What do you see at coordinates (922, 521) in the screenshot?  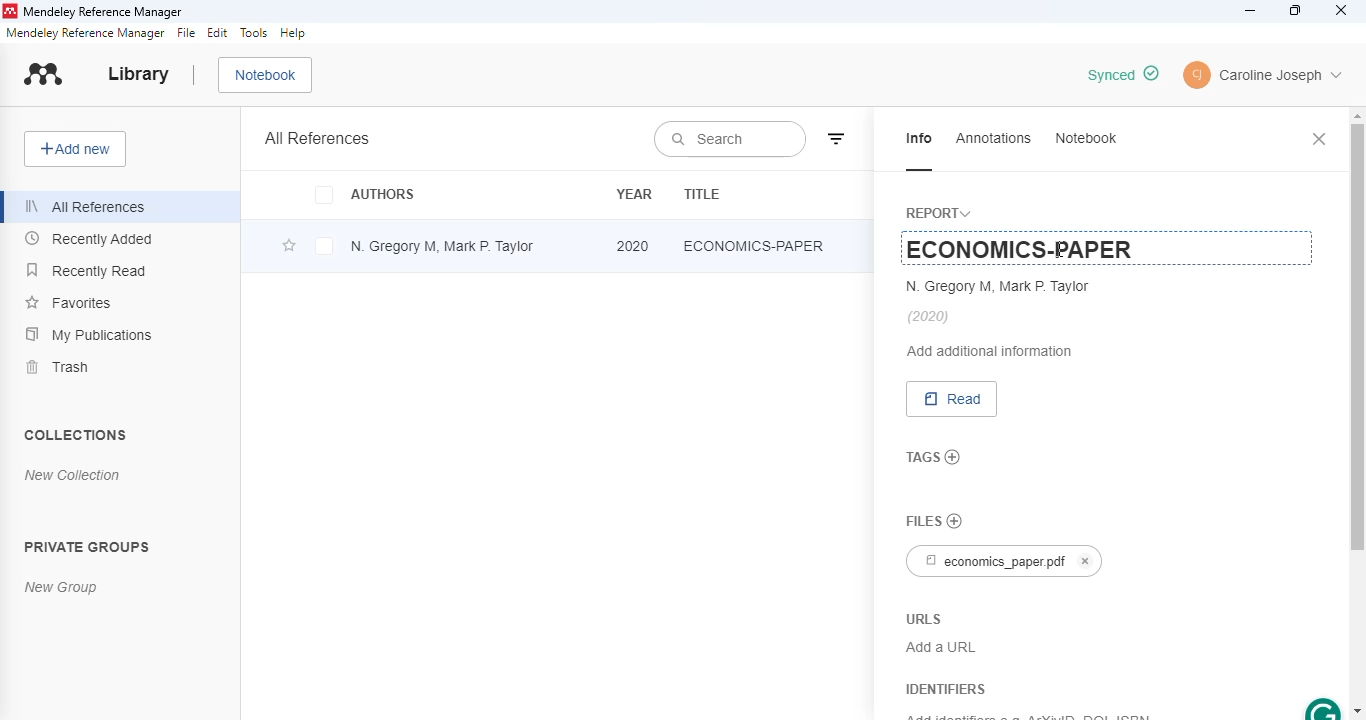 I see `files` at bounding box center [922, 521].